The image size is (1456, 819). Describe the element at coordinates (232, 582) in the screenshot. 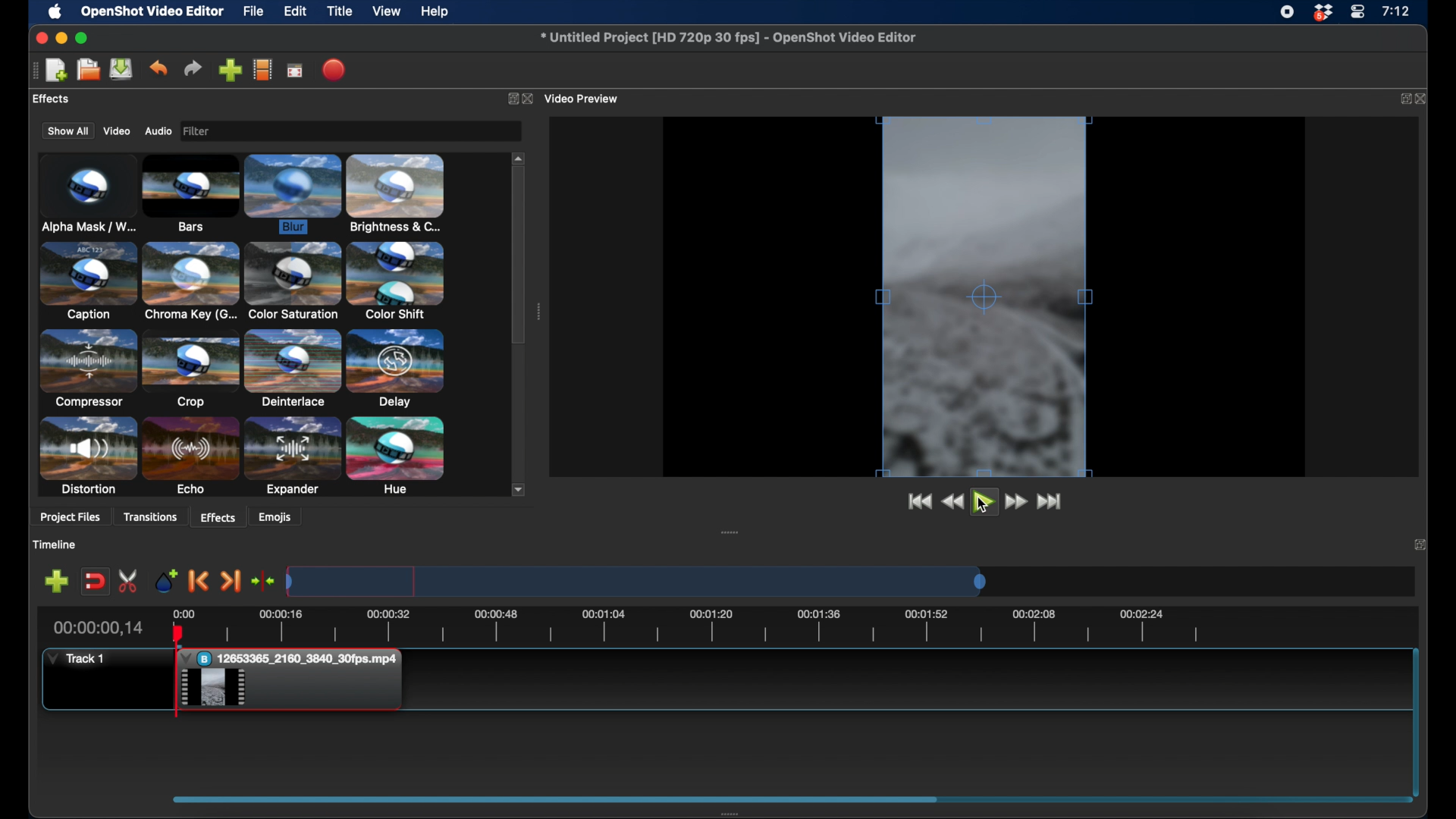

I see `next marker` at that location.